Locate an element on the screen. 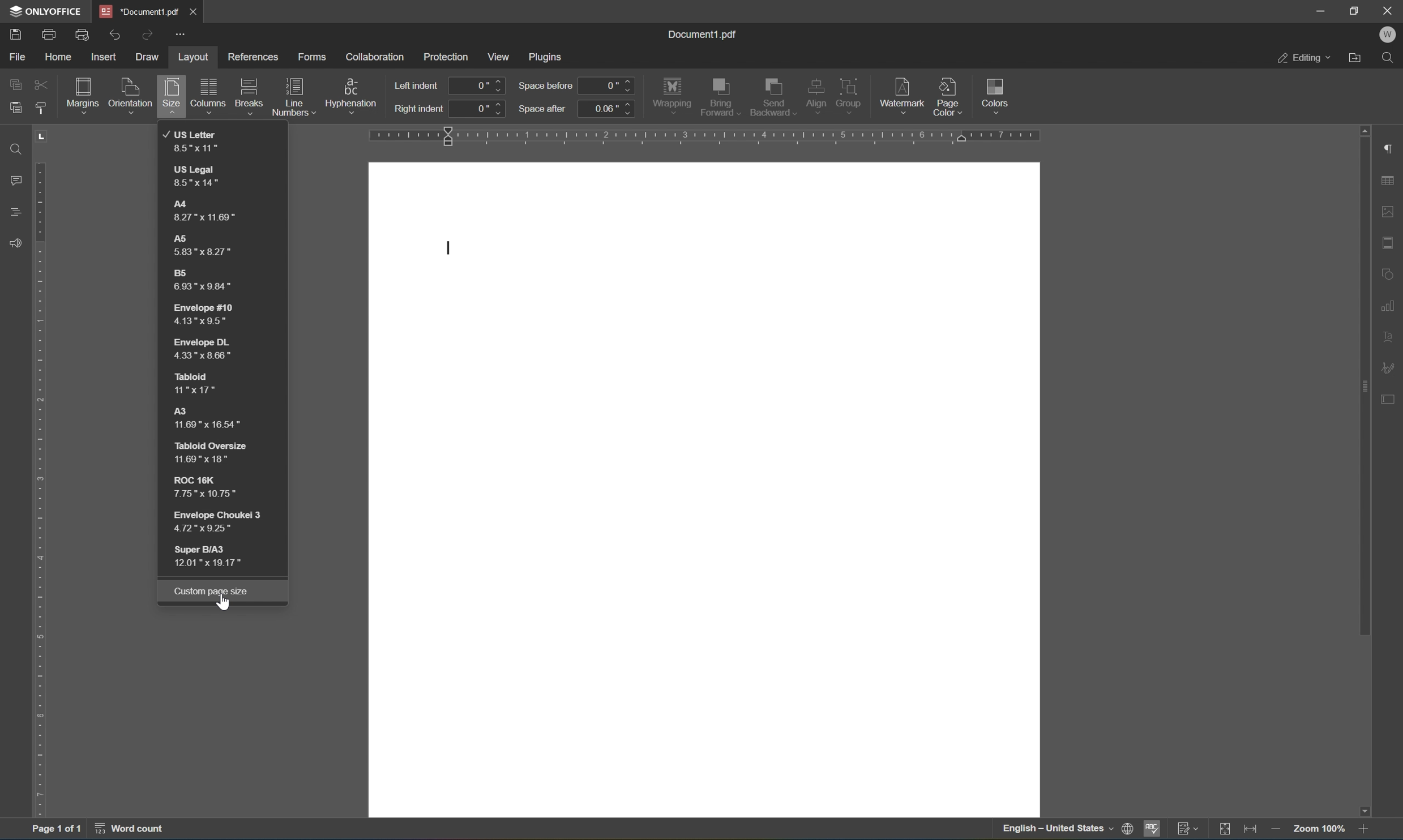 The height and width of the screenshot is (840, 1403). signature is located at coordinates (1391, 366).